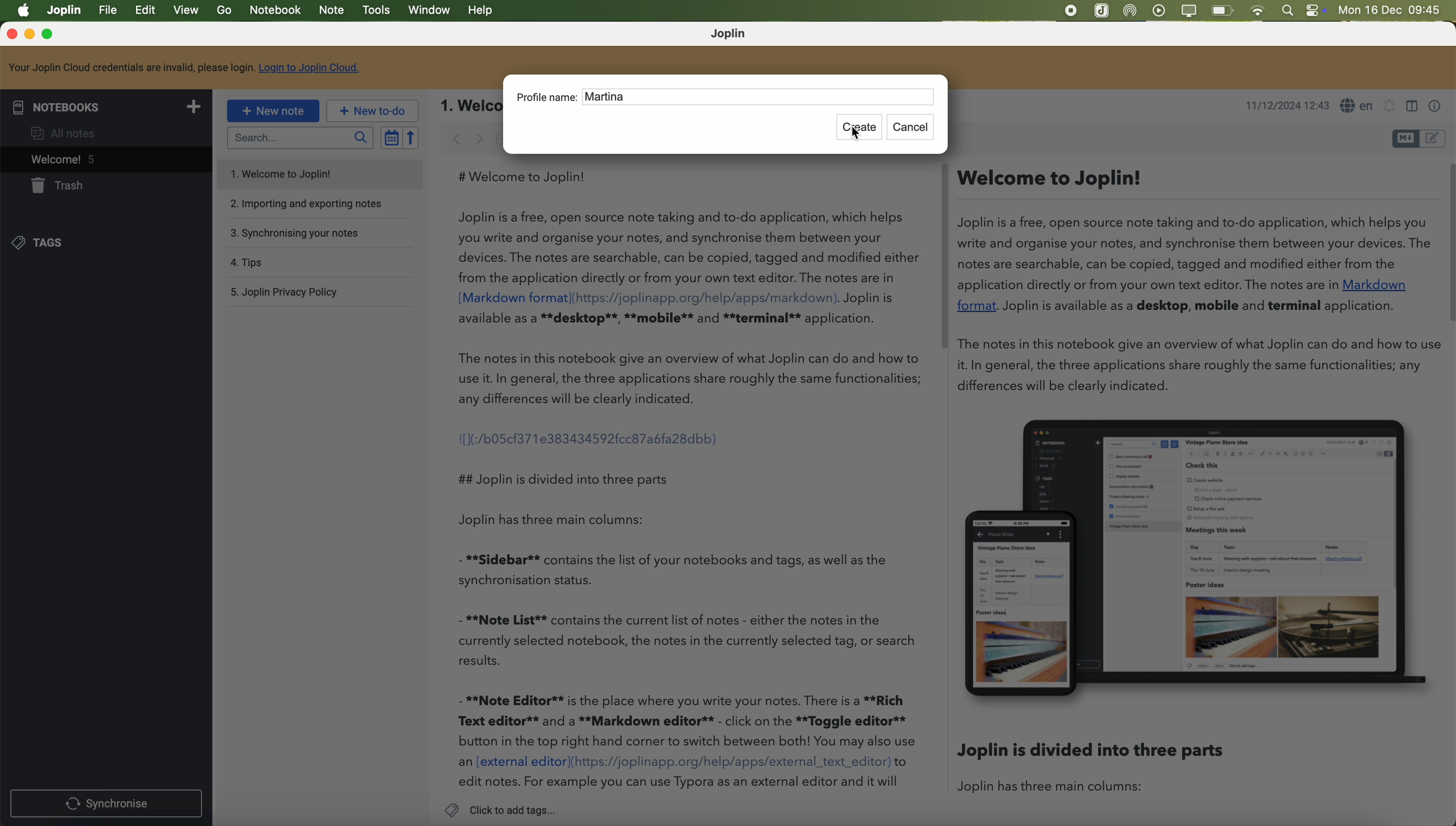  I want to click on Joplin is divided into three parts
Joplin has three main columns:, so click(1100, 772).